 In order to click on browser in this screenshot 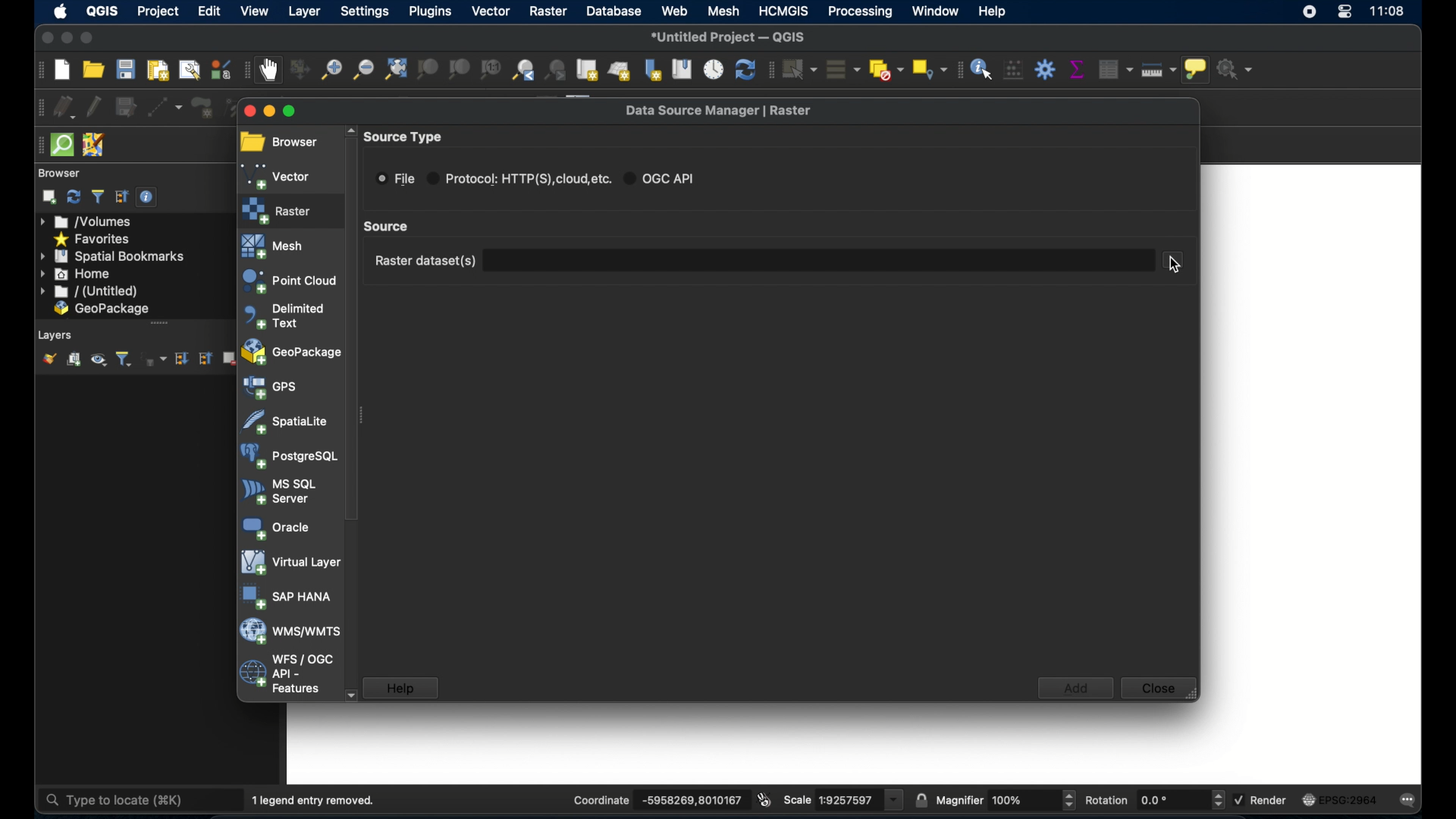, I will do `click(58, 172)`.